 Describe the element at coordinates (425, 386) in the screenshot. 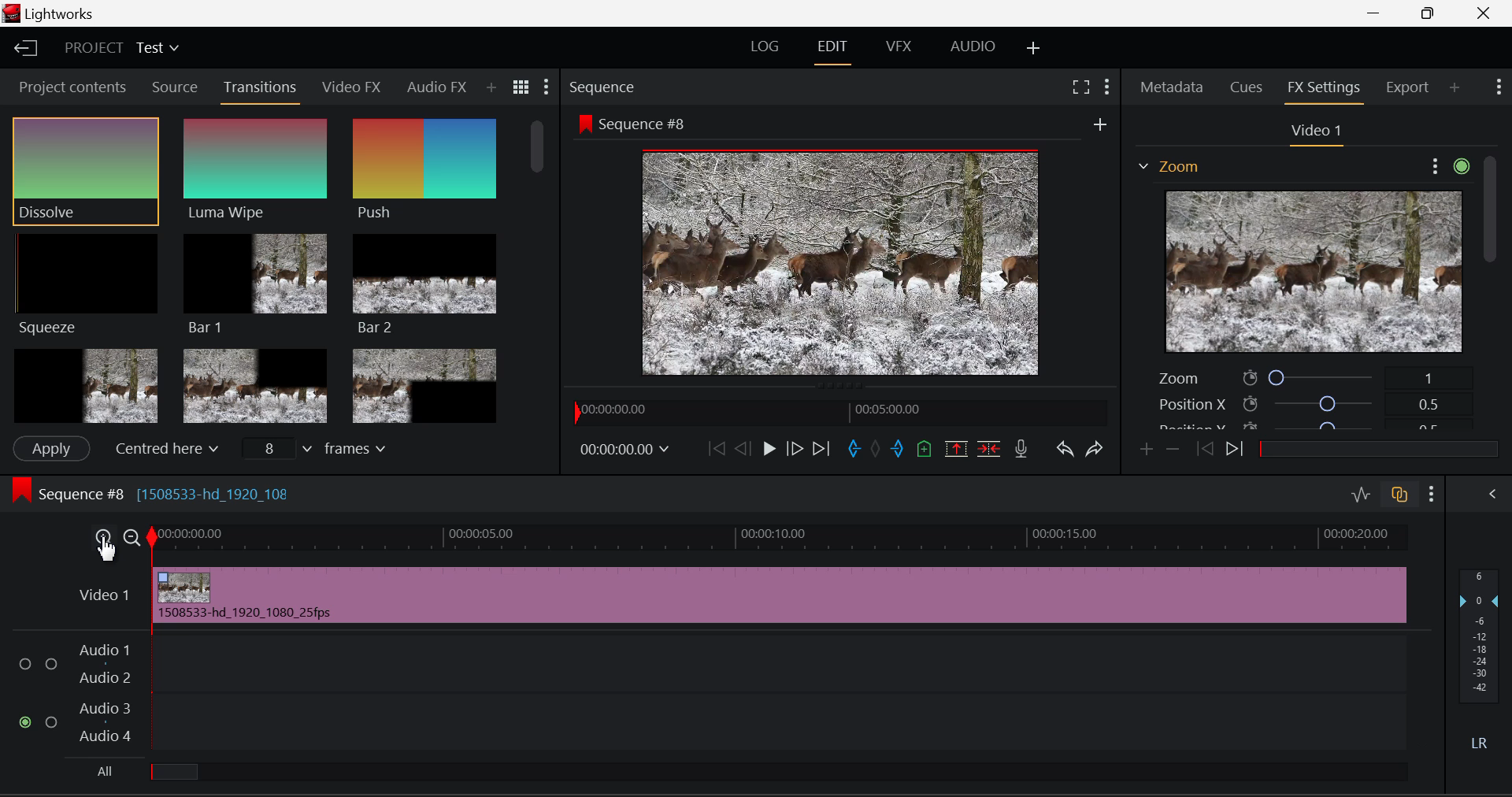

I see `Box 3` at that location.